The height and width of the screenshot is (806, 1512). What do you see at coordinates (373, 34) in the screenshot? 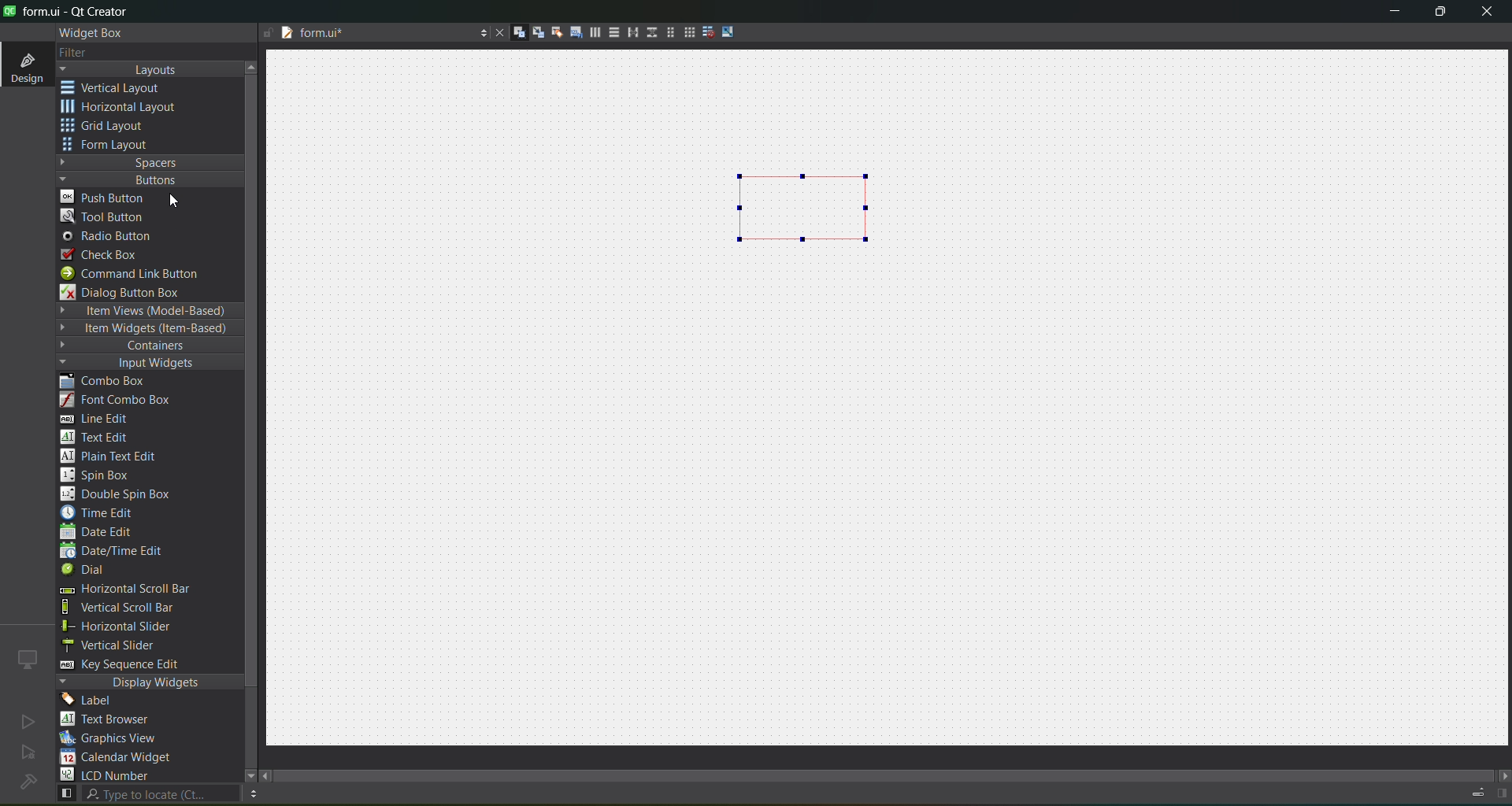
I see `tab name` at bounding box center [373, 34].